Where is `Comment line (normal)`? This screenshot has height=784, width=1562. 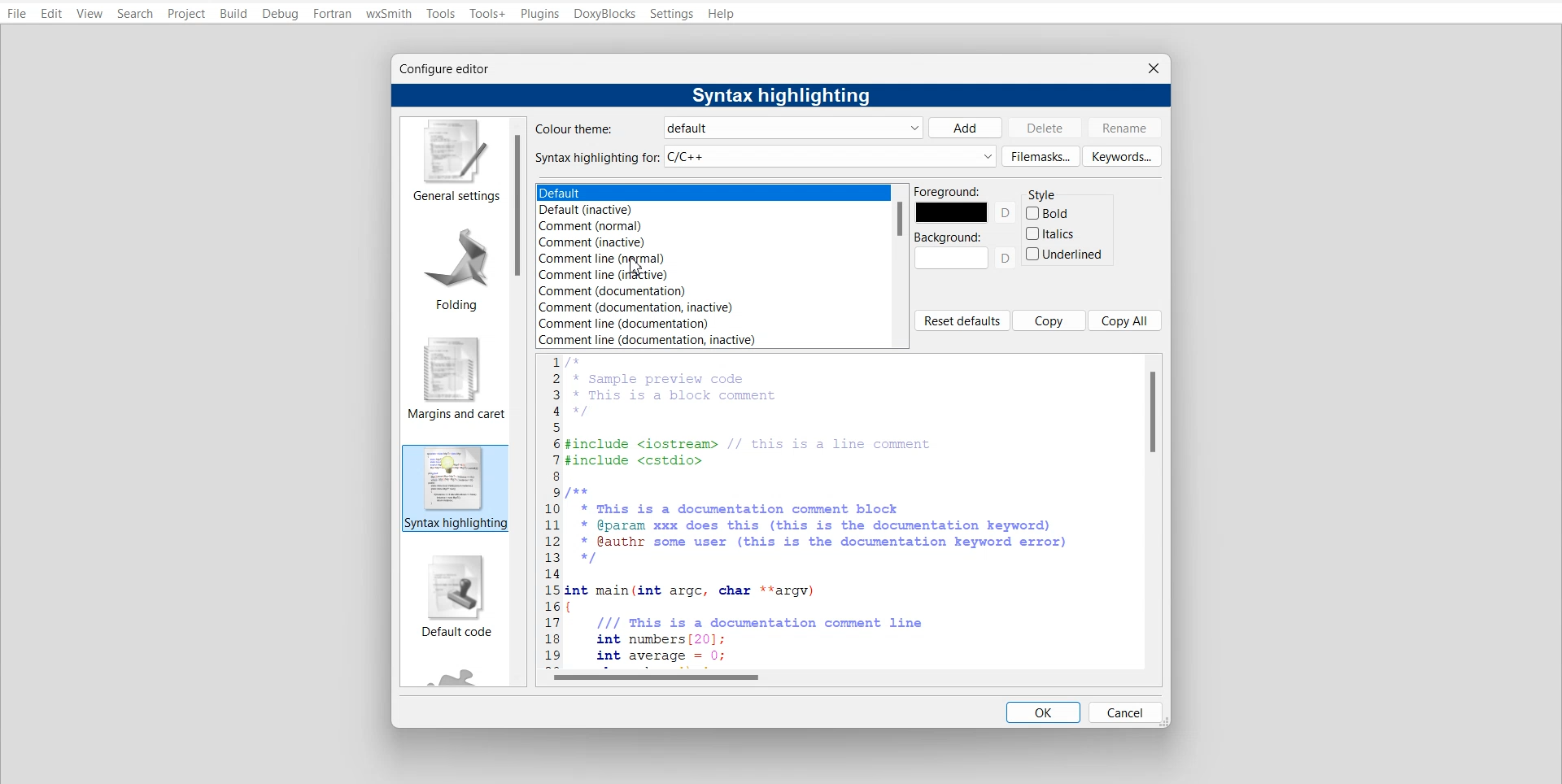
Comment line (normal) is located at coordinates (643, 259).